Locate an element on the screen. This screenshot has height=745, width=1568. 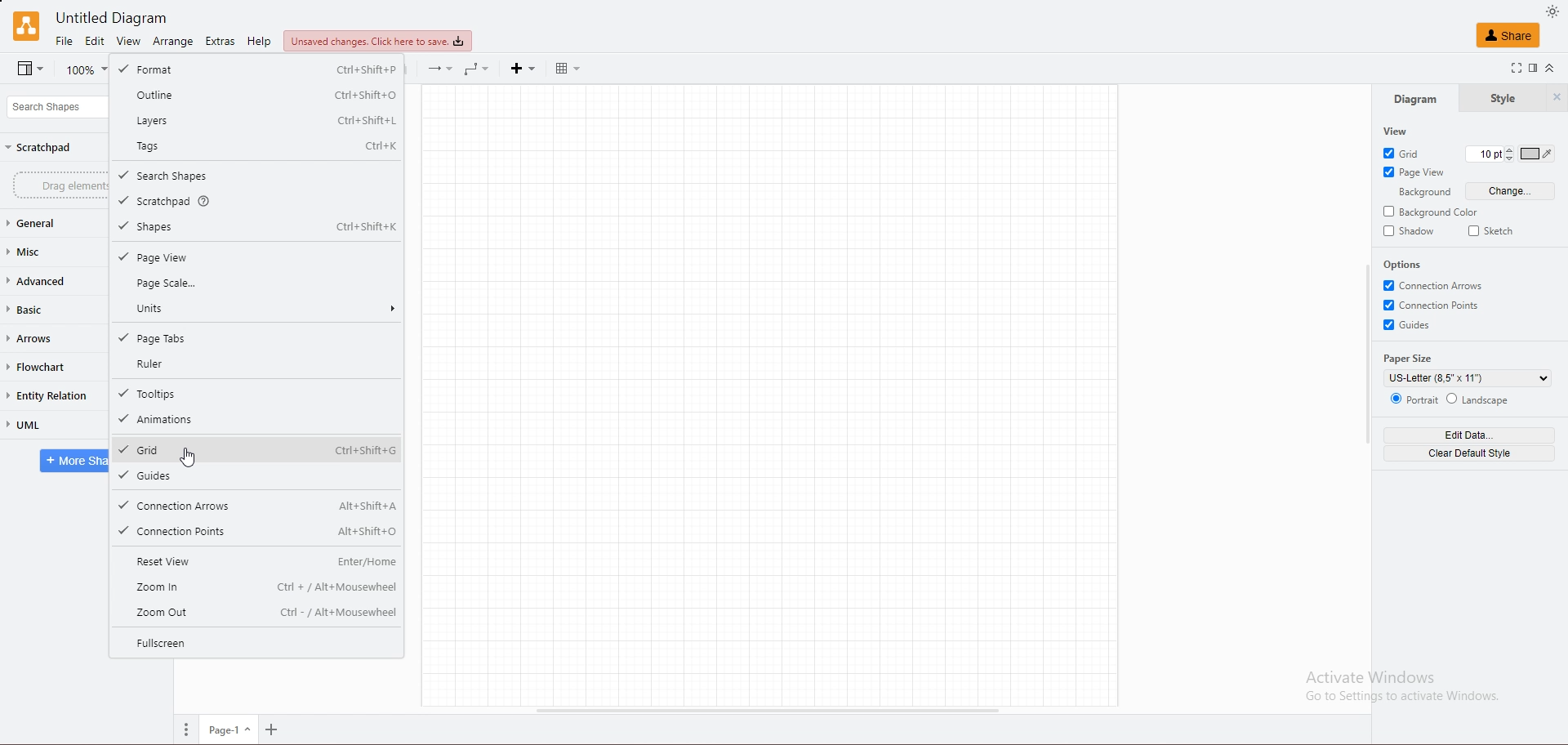
ruler is located at coordinates (259, 365).